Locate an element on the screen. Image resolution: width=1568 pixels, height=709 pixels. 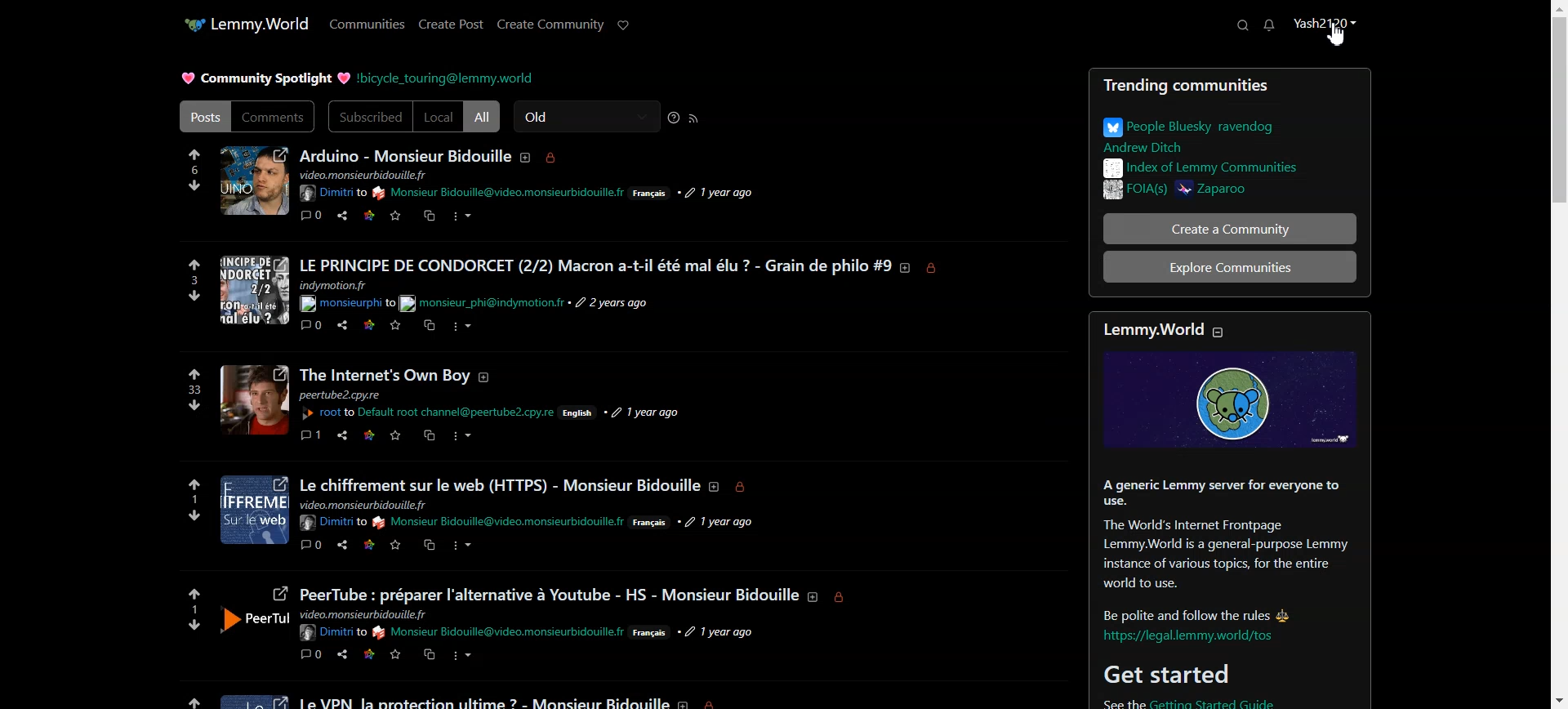
upvotes is located at coordinates (185, 696).